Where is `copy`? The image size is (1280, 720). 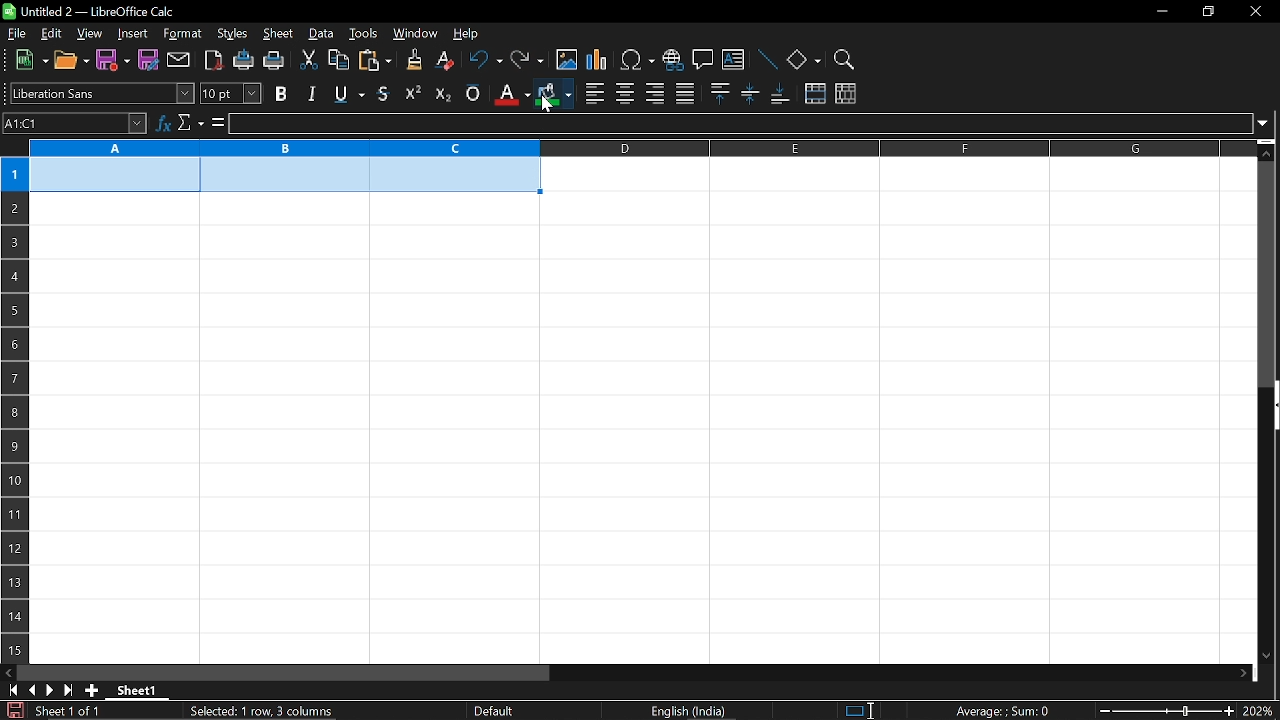 copy is located at coordinates (339, 60).